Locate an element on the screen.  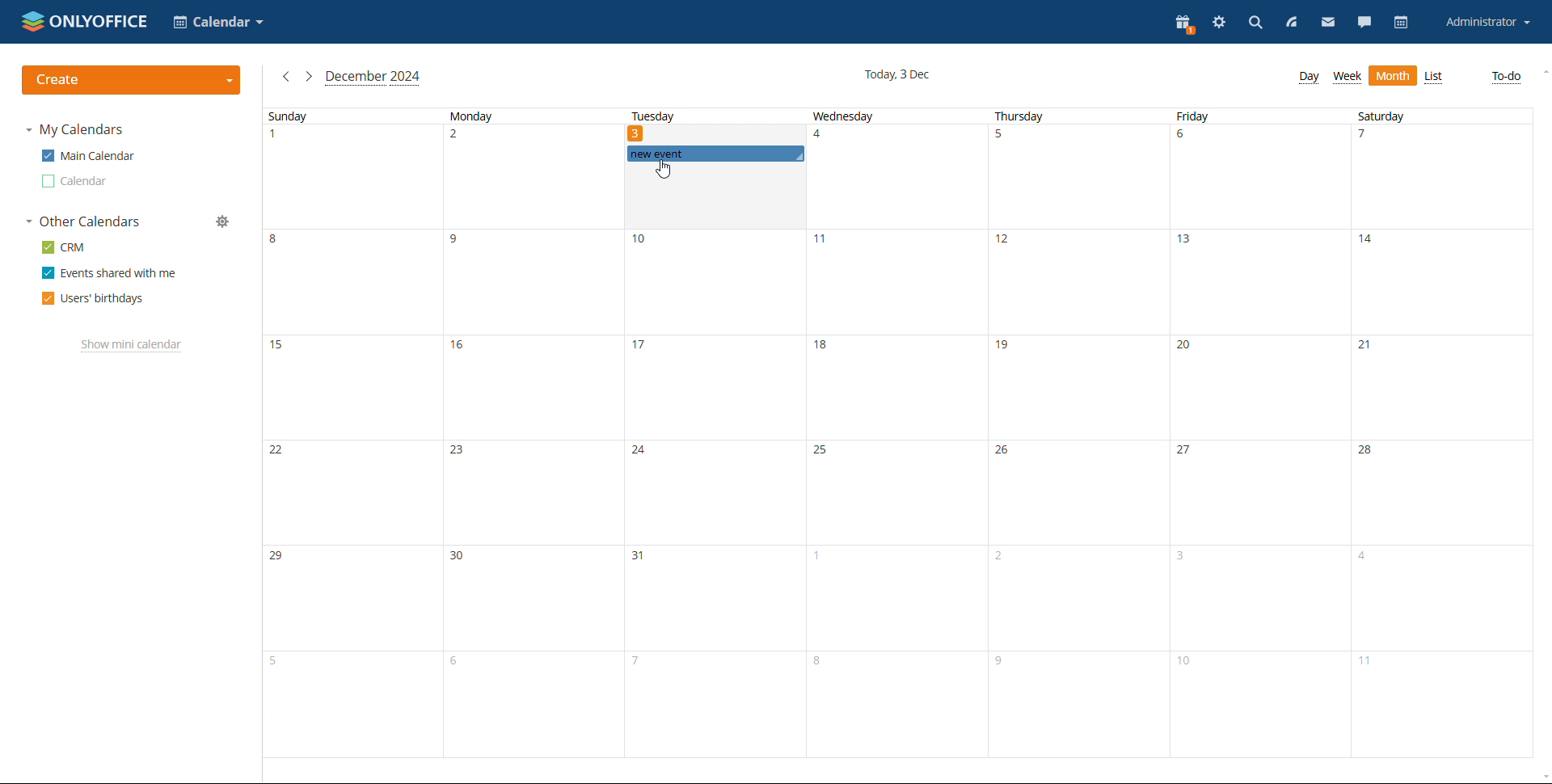
scroll down is located at coordinates (1542, 778).